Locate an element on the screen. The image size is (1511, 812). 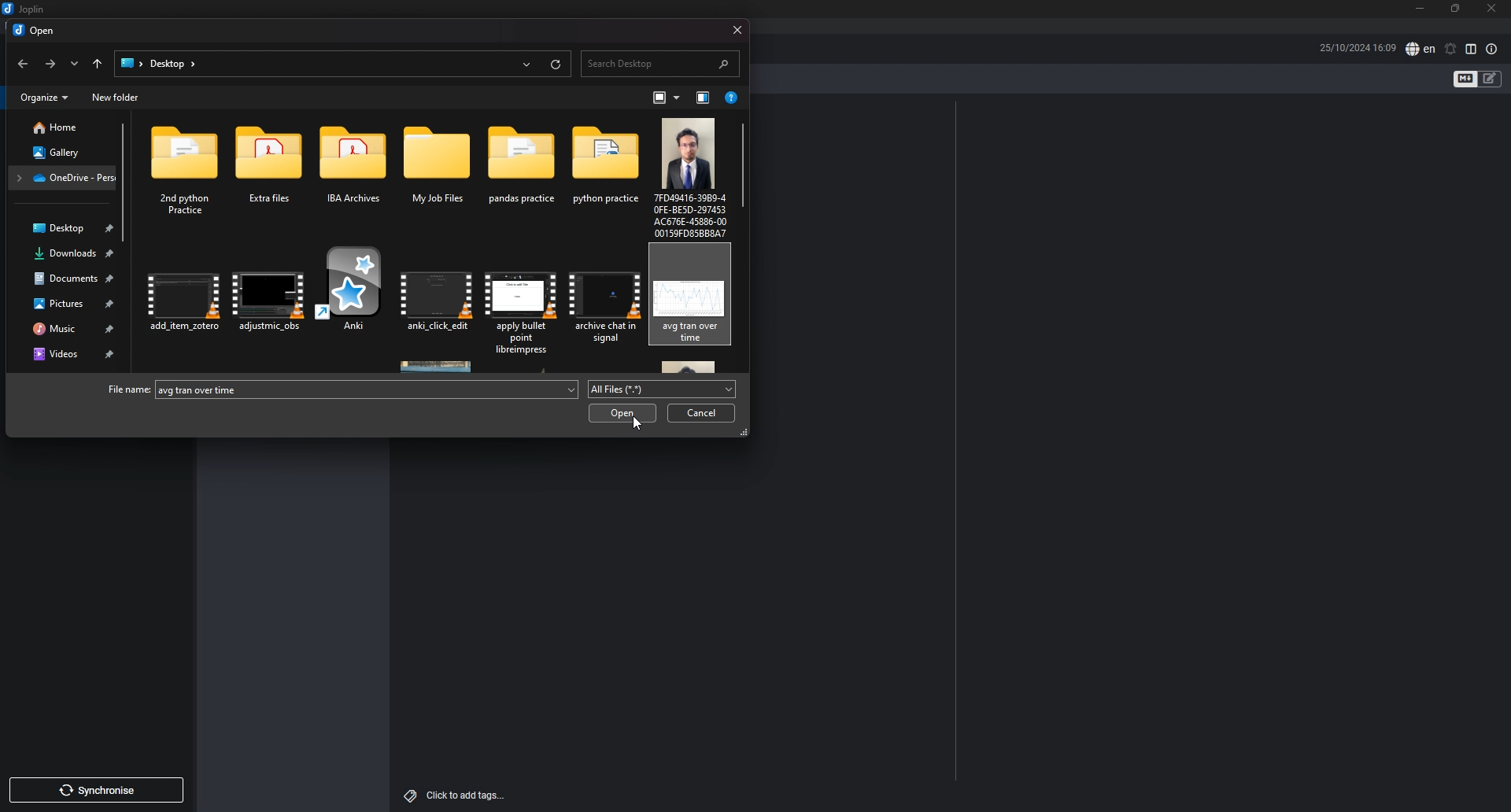
music is located at coordinates (66, 327).